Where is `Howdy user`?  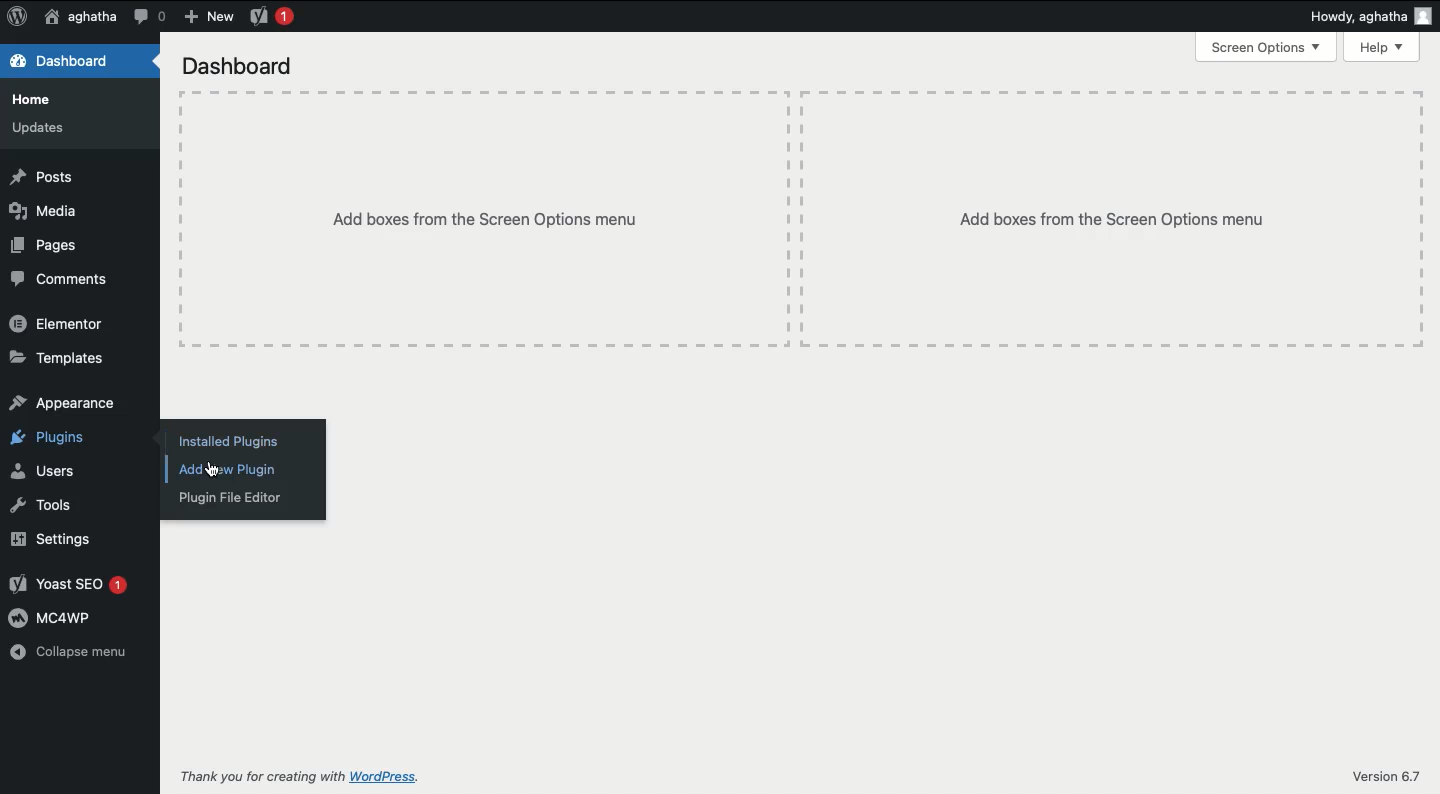 Howdy user is located at coordinates (1370, 16).